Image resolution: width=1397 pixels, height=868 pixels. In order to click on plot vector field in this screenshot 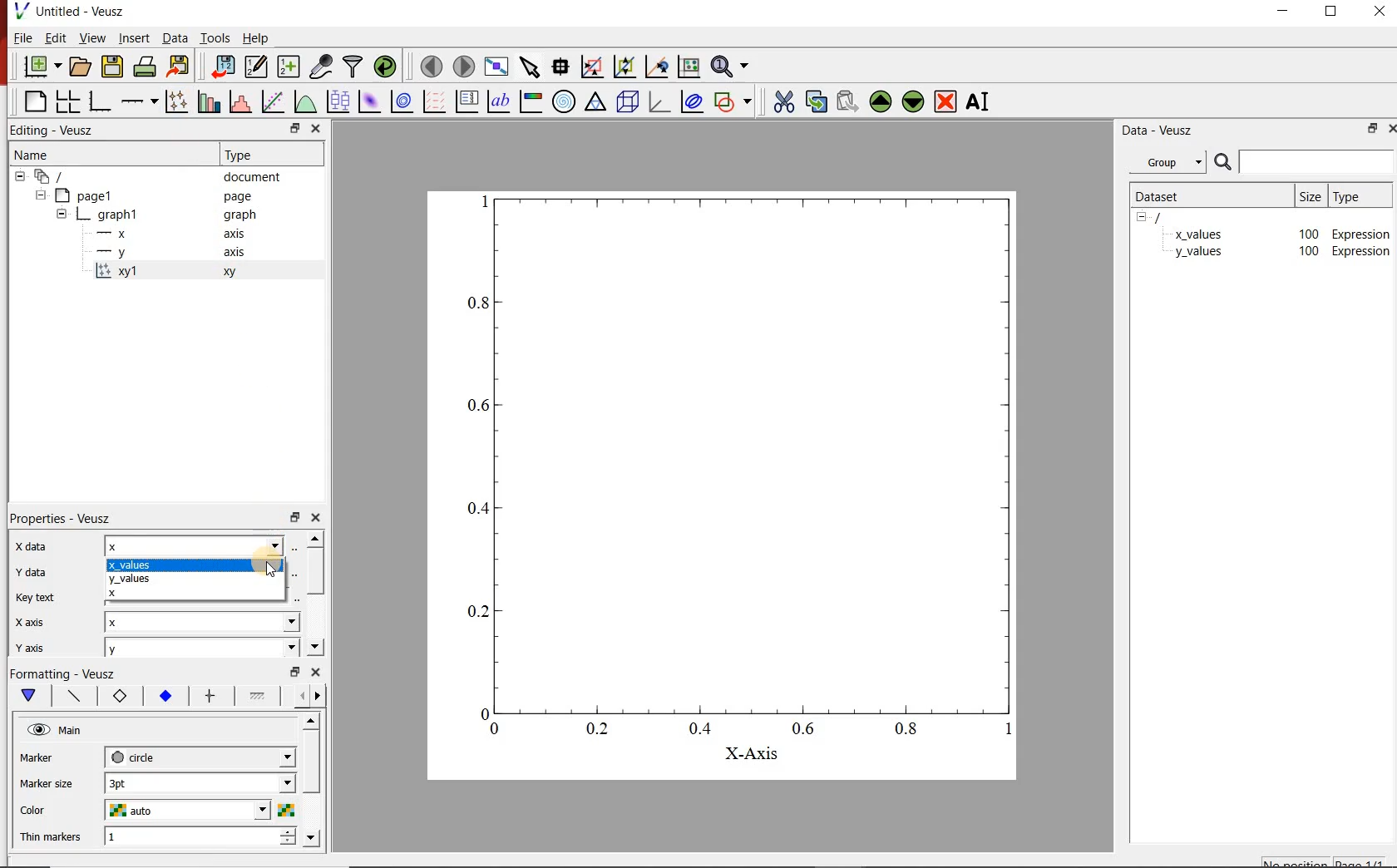, I will do `click(434, 101)`.